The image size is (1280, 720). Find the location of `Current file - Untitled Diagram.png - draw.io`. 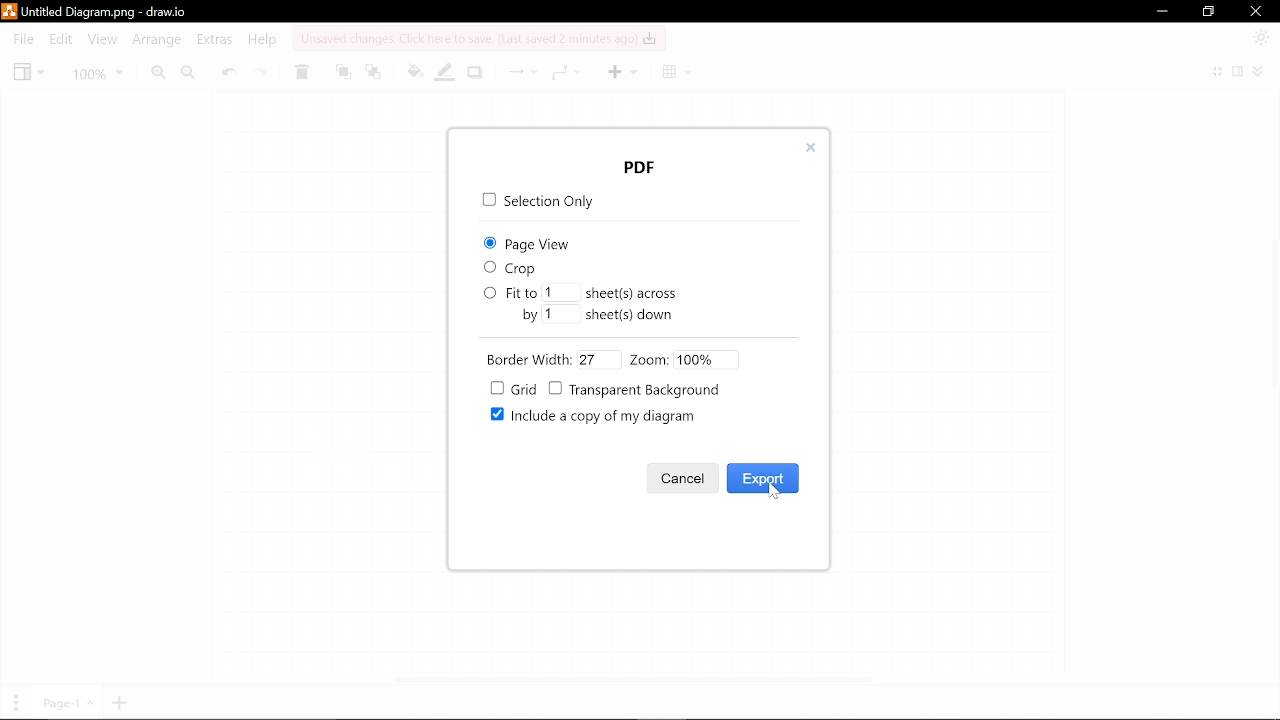

Current file - Untitled Diagram.png - draw.io is located at coordinates (97, 13).